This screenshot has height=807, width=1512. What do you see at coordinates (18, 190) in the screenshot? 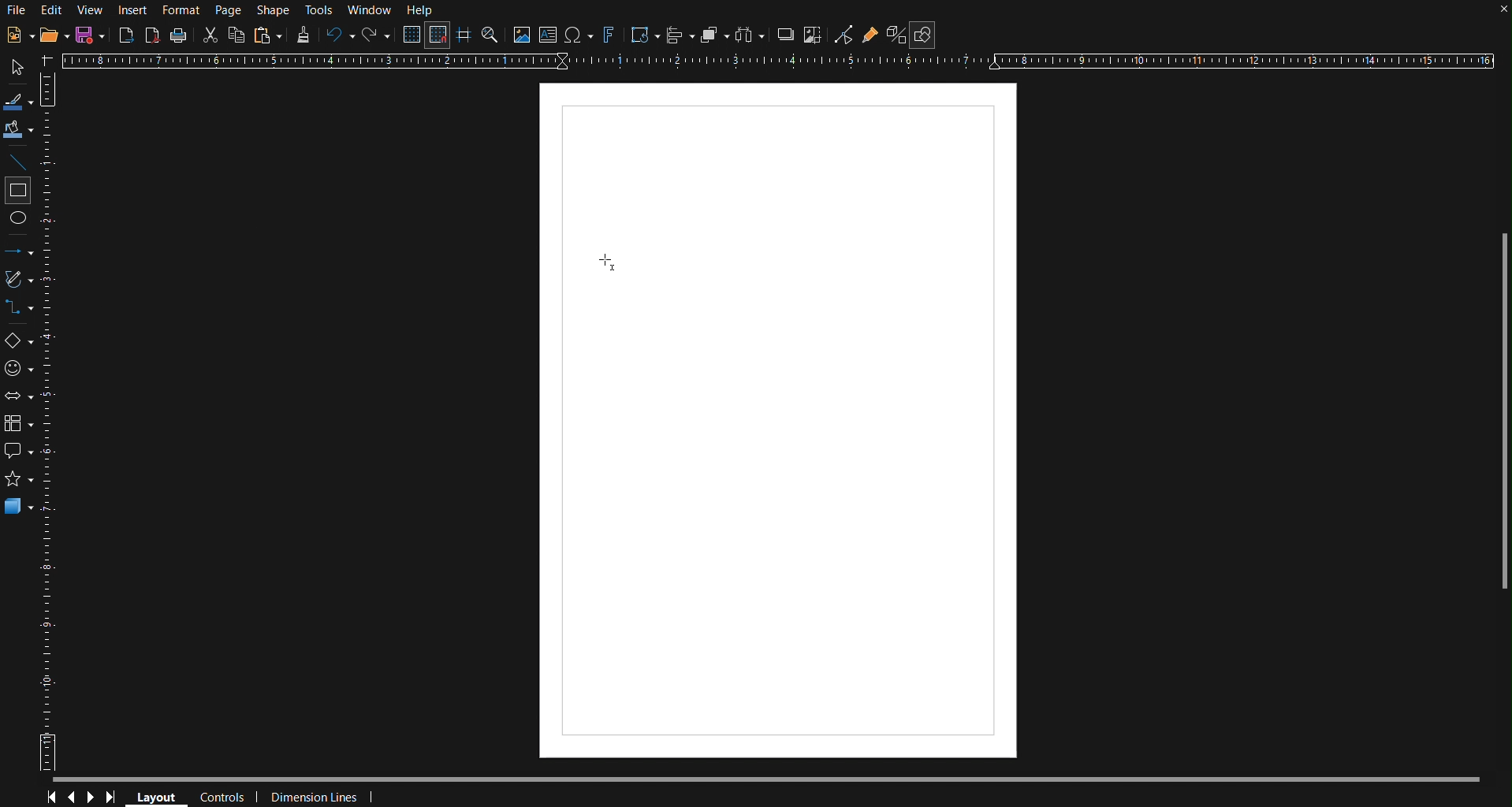
I see `Rectangle` at bounding box center [18, 190].